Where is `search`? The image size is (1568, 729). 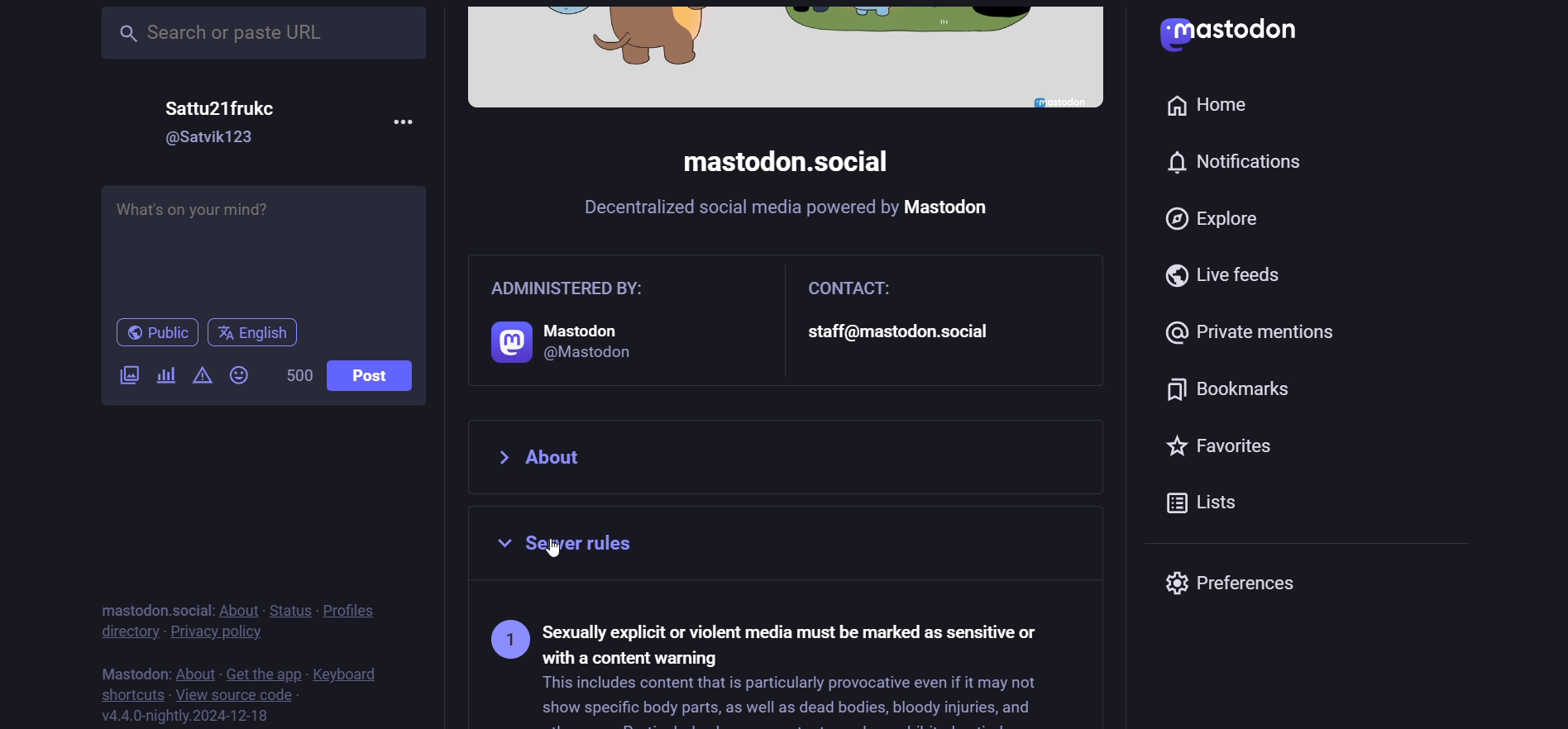 search is located at coordinates (265, 31).